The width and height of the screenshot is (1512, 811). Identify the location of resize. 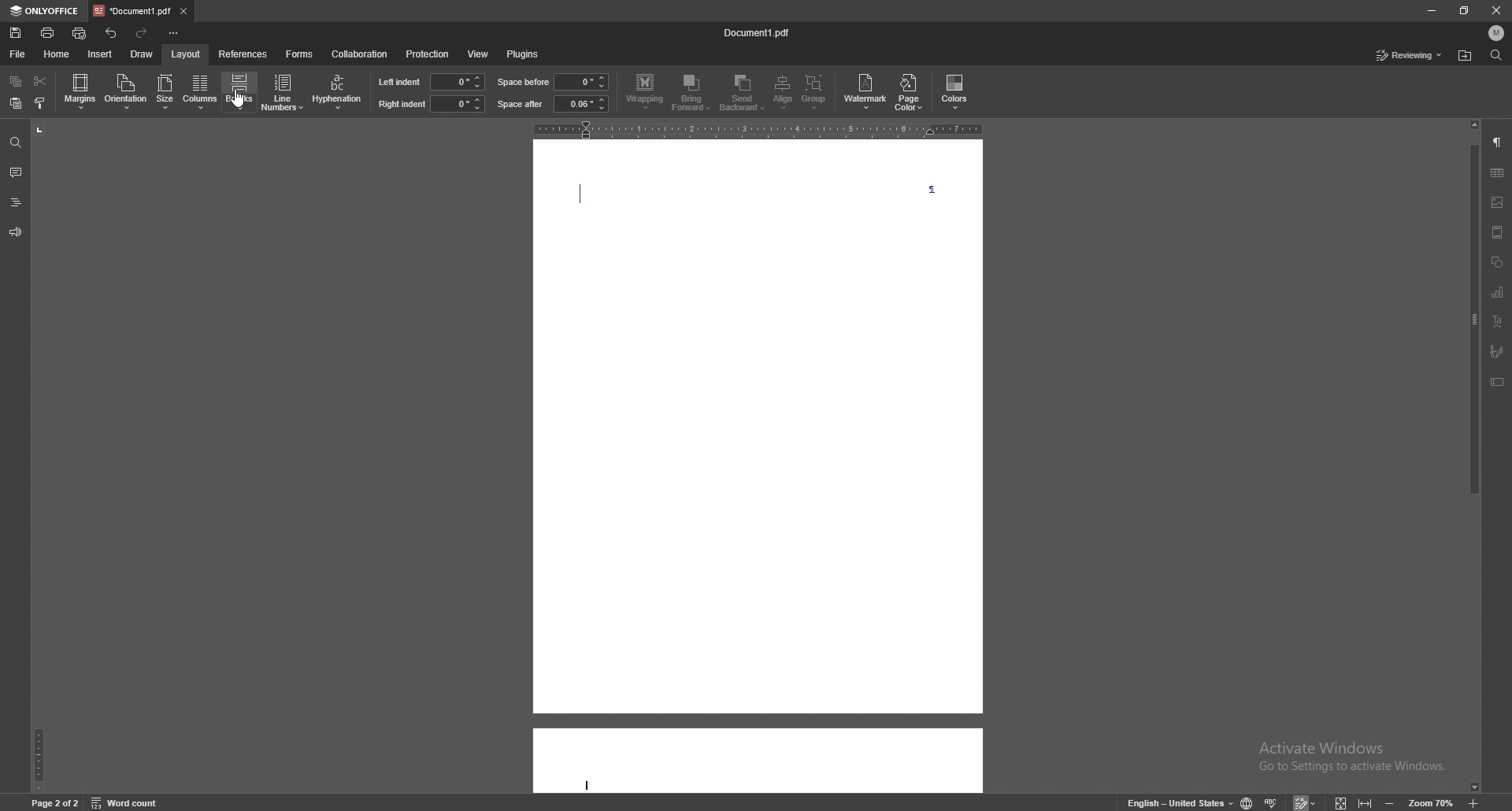
(1465, 10).